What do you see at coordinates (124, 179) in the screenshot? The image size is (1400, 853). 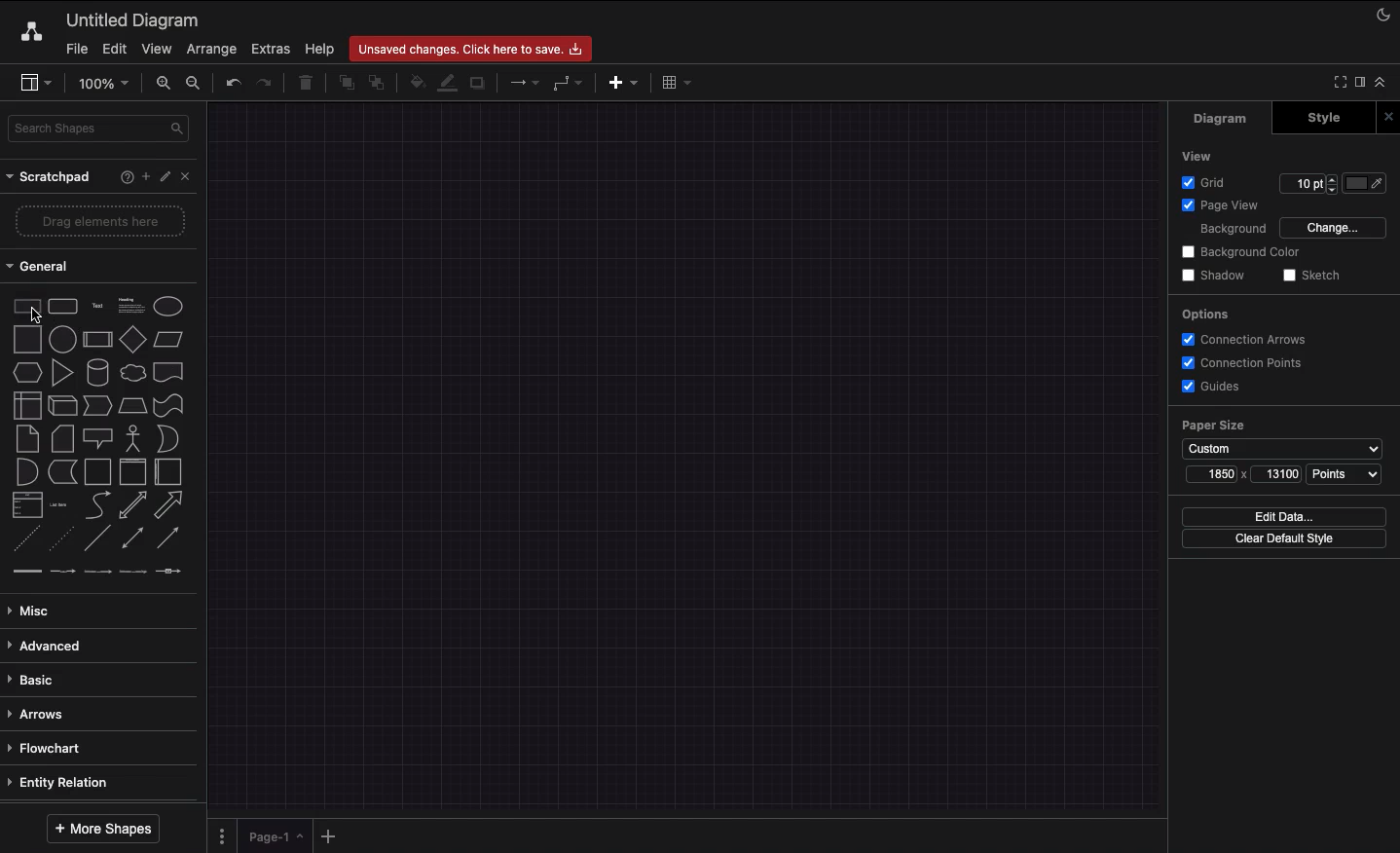 I see `Help` at bounding box center [124, 179].